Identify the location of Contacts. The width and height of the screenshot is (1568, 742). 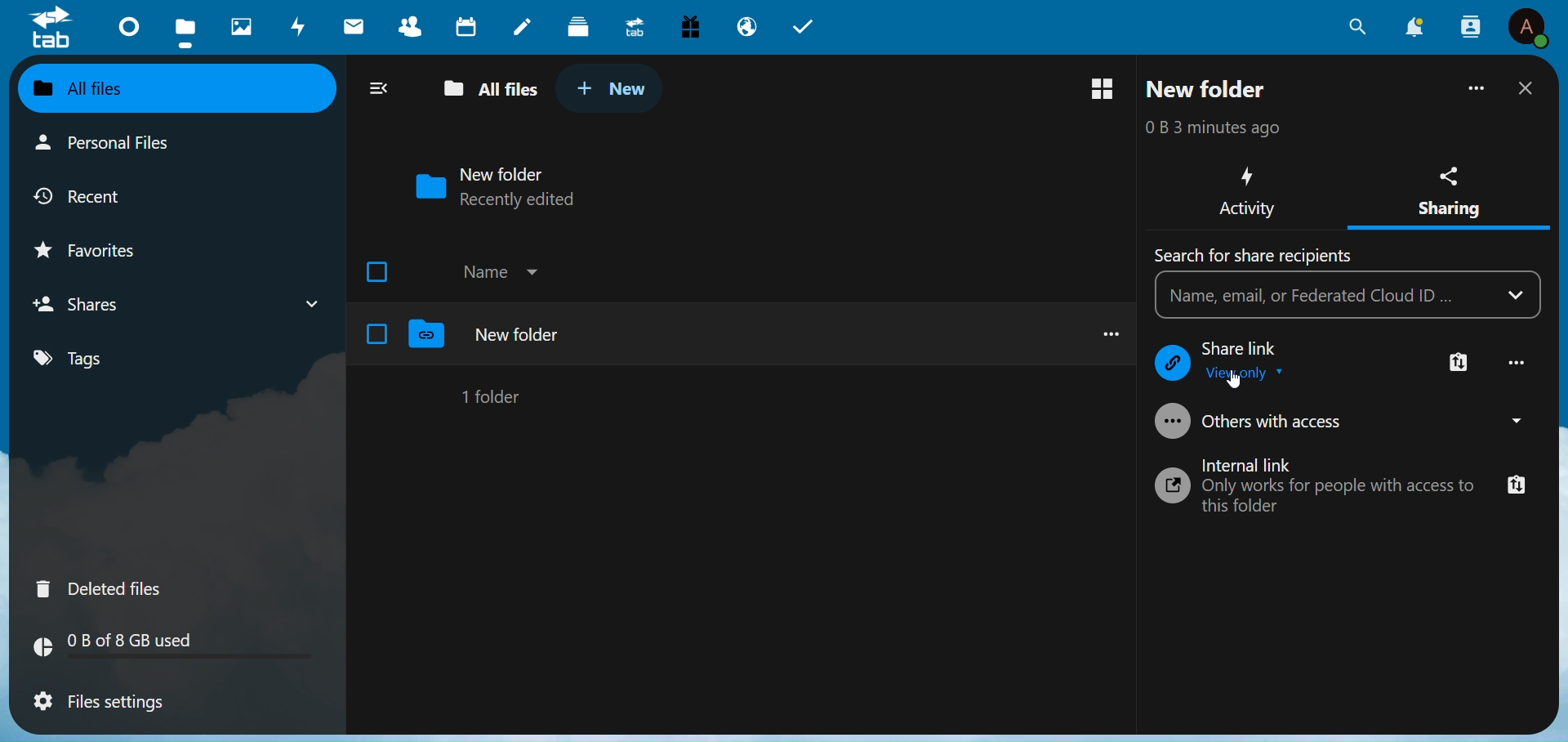
(413, 26).